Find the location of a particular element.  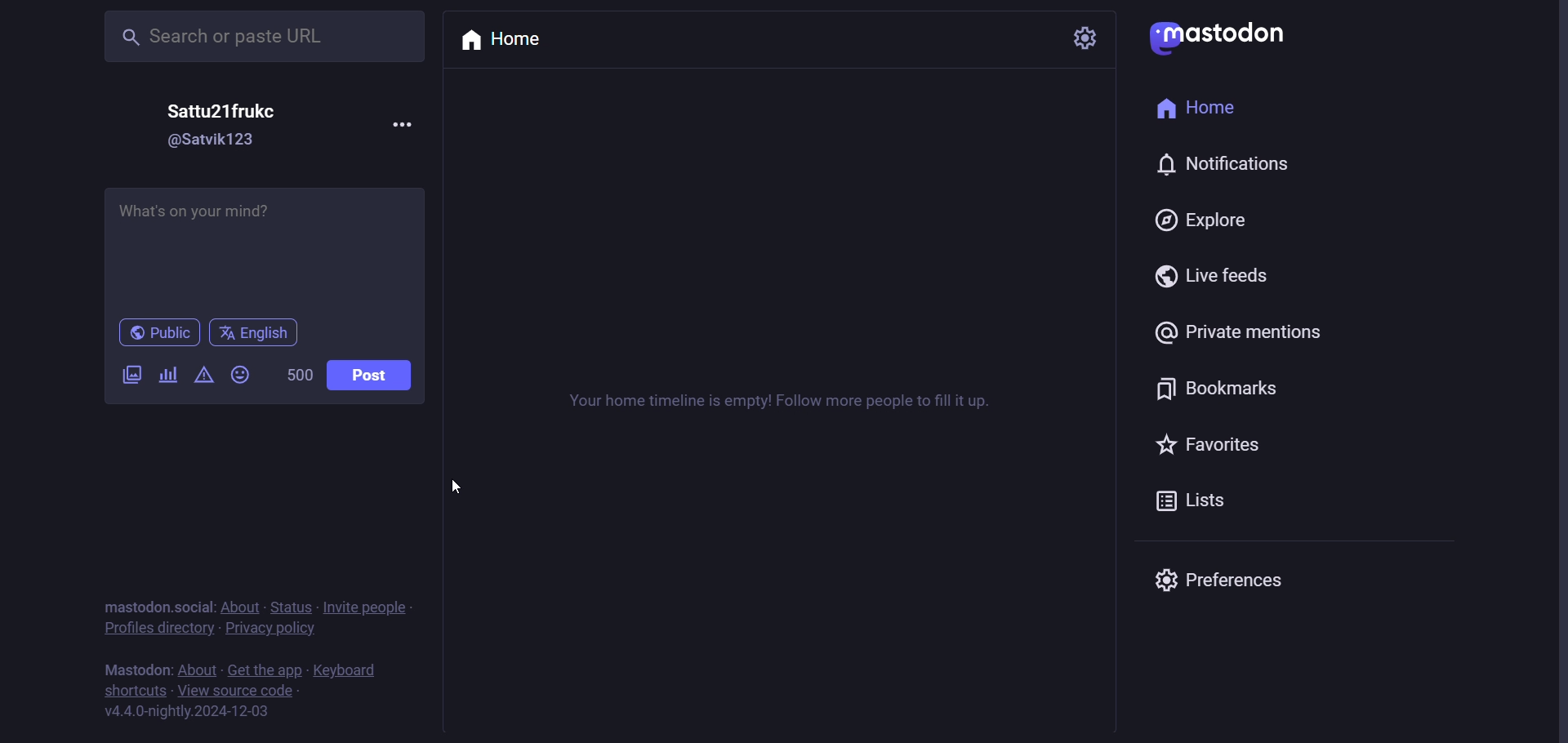

English is located at coordinates (256, 334).